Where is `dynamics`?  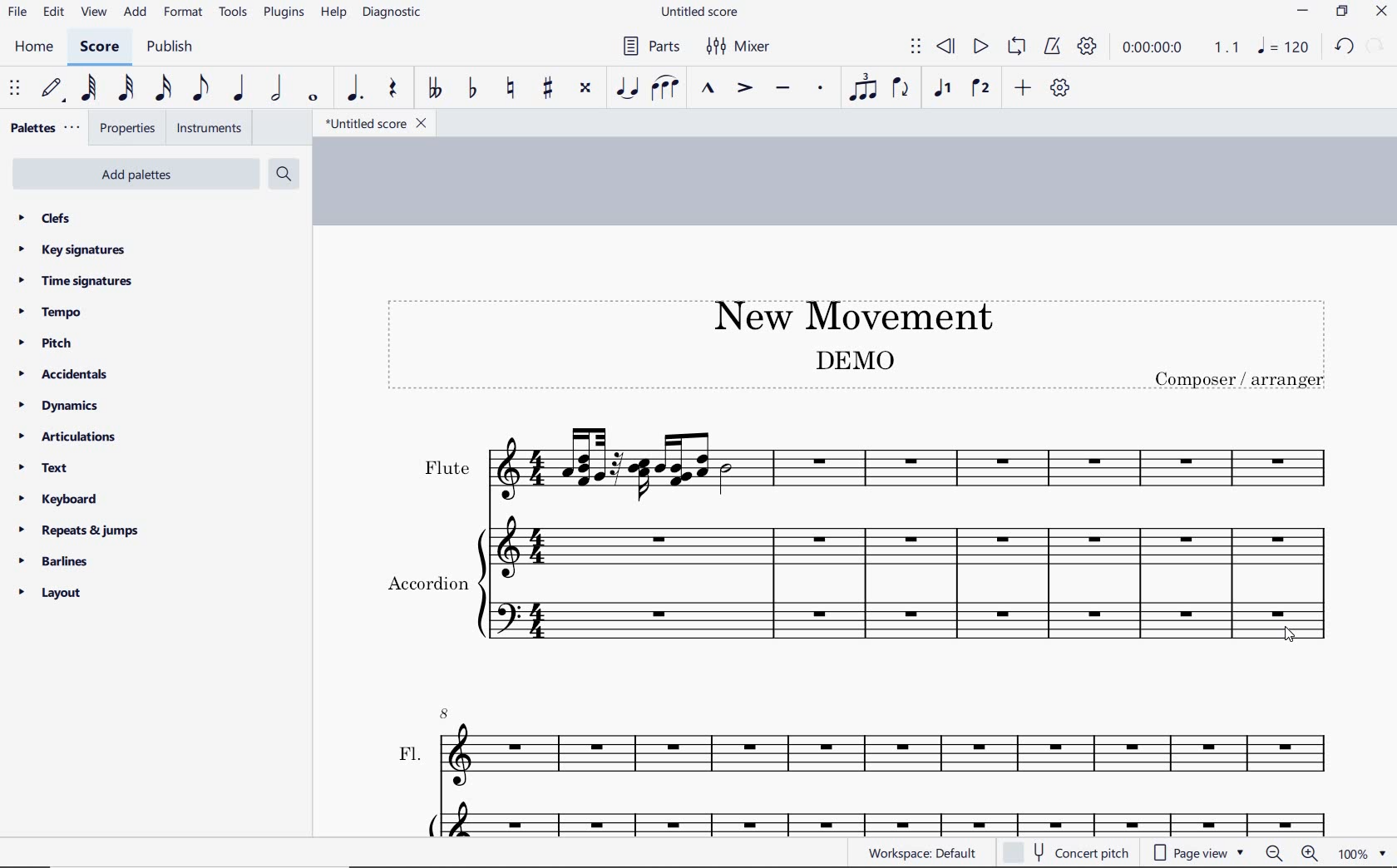 dynamics is located at coordinates (63, 406).